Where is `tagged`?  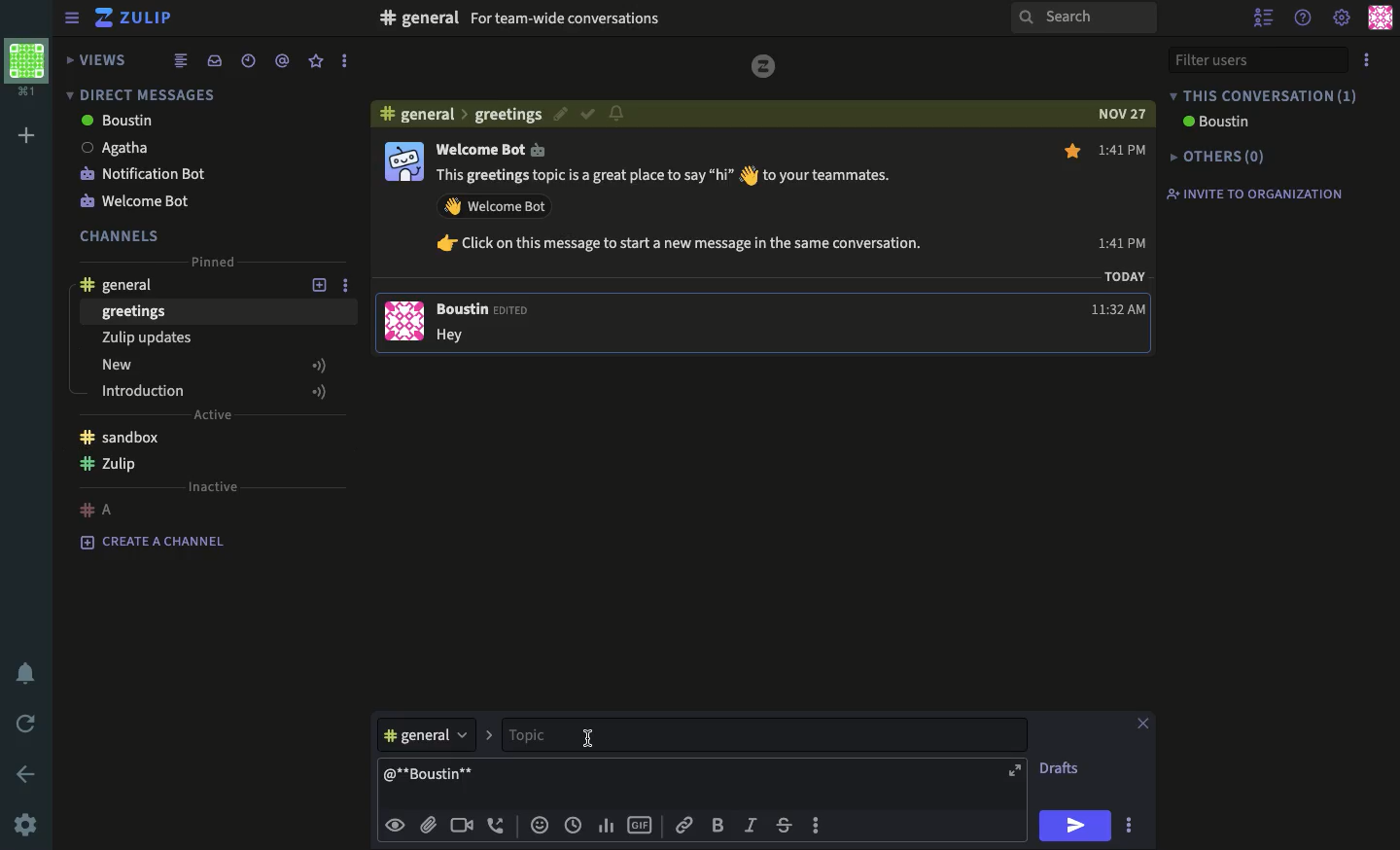 tagged is located at coordinates (281, 60).